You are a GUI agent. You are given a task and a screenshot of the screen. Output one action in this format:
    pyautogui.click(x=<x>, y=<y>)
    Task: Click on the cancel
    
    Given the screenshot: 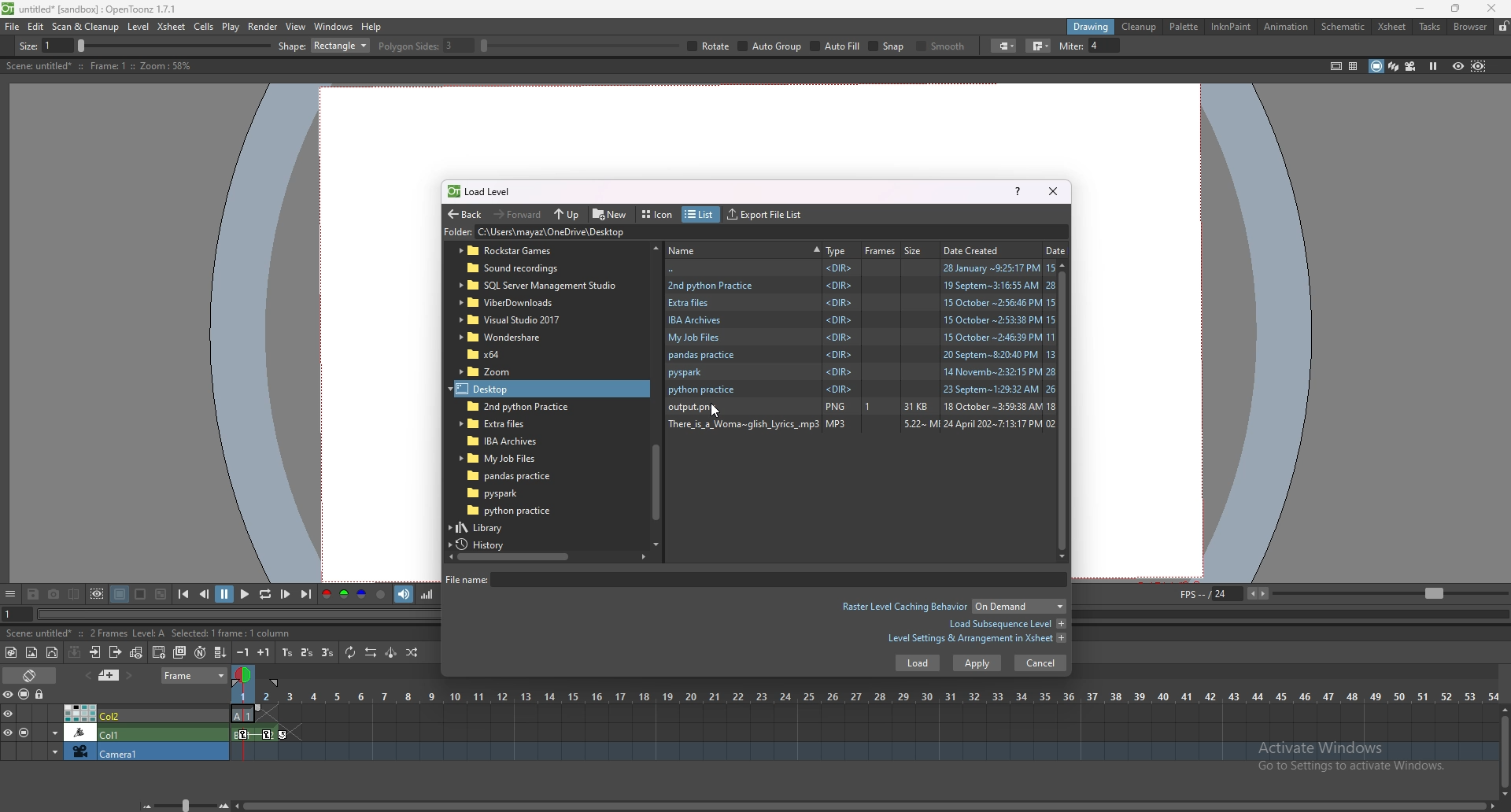 What is the action you would take?
    pyautogui.click(x=1040, y=663)
    